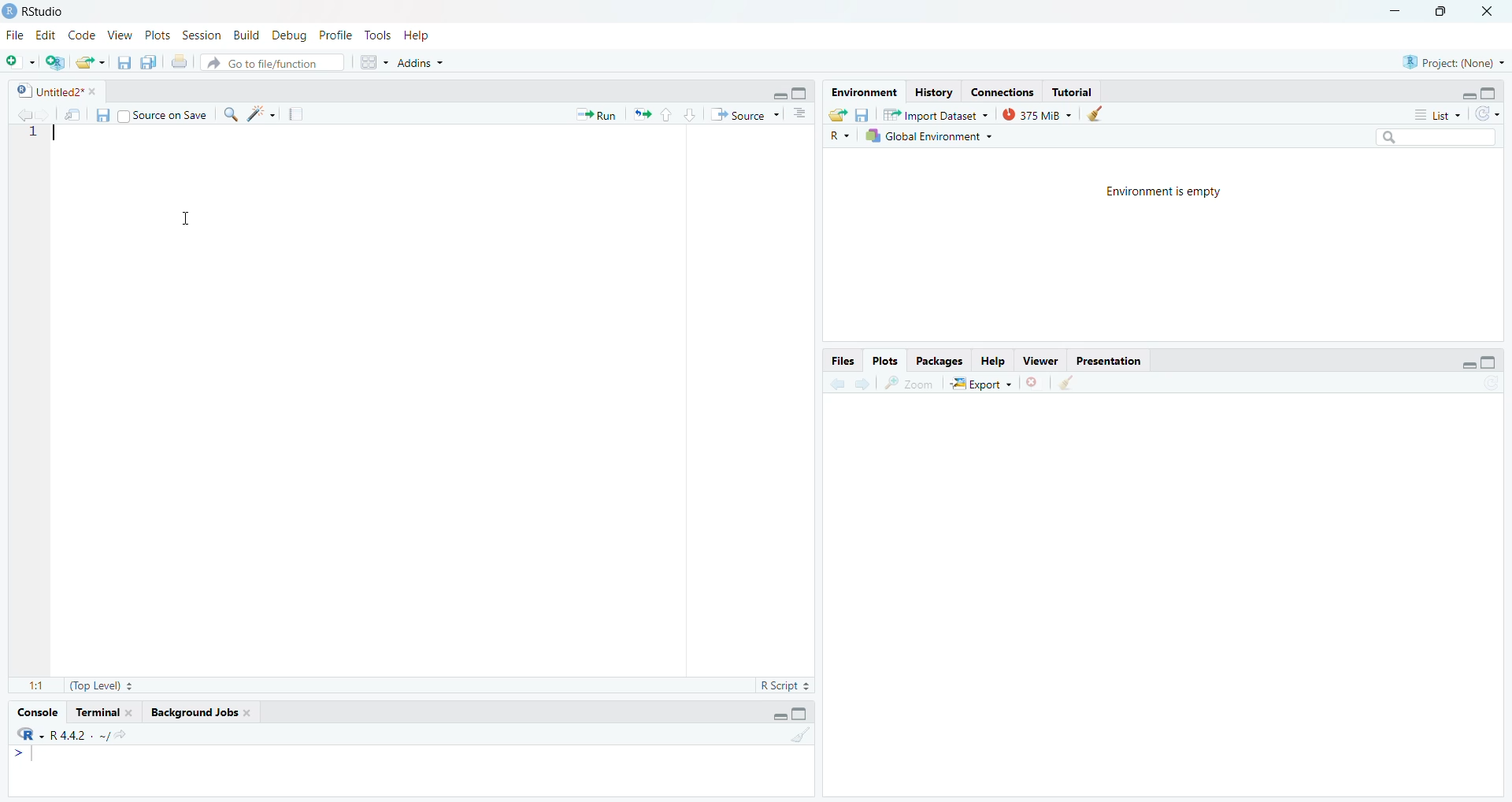 The image size is (1512, 802). I want to click on go back, so click(837, 383).